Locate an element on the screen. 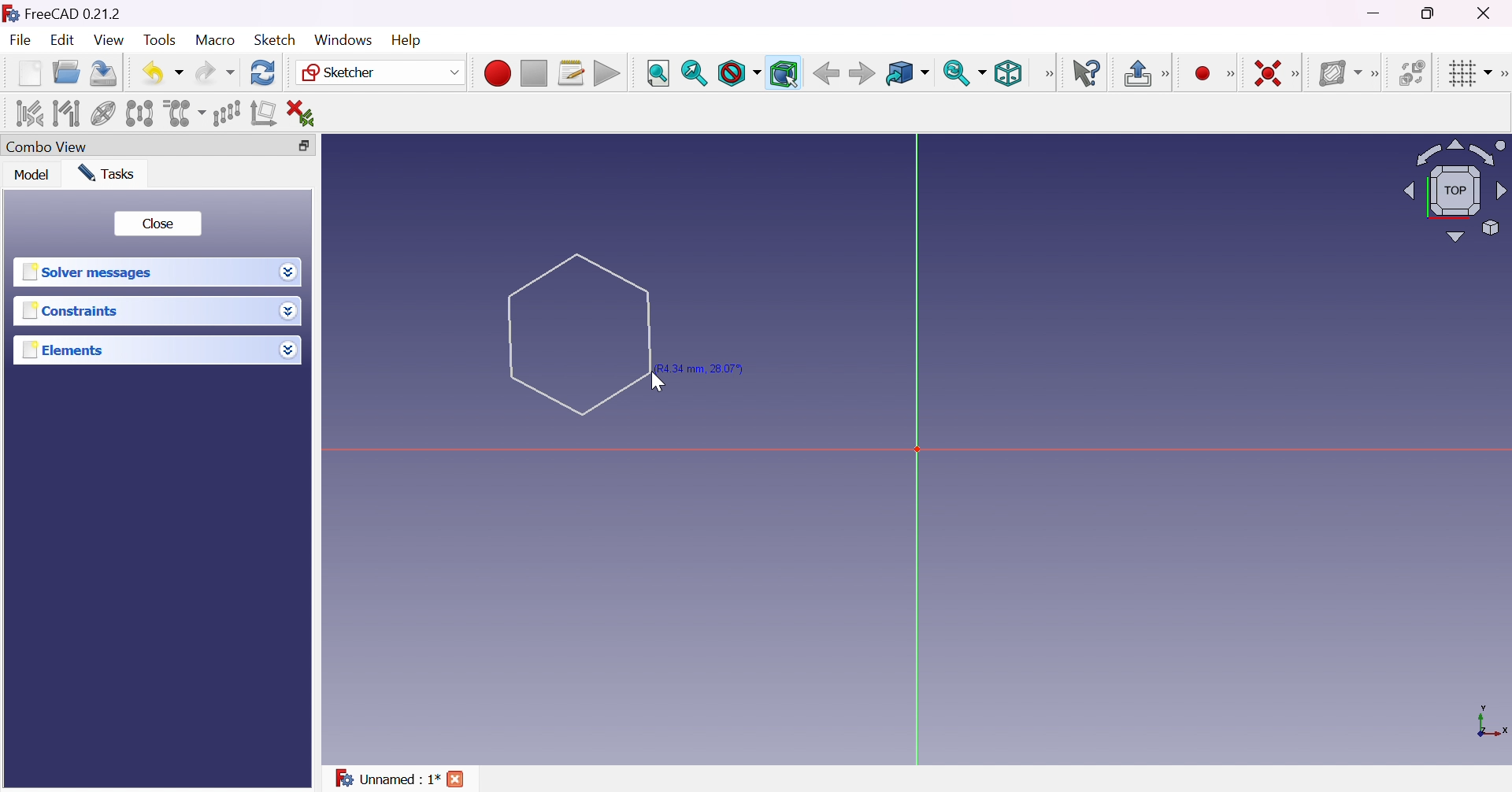  Select associated geometry is located at coordinates (66, 113).